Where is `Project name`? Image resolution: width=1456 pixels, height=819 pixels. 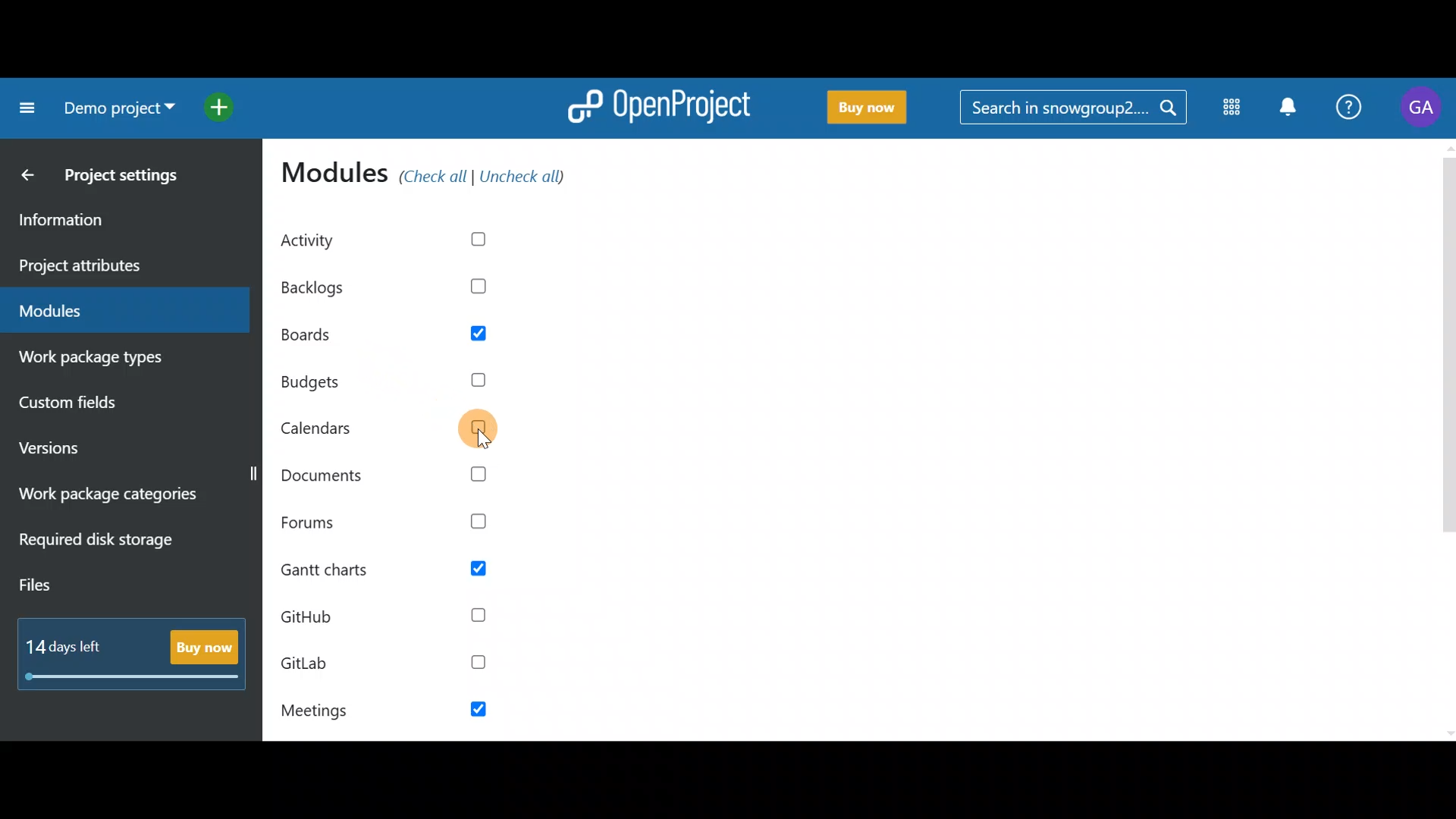
Project name is located at coordinates (115, 108).